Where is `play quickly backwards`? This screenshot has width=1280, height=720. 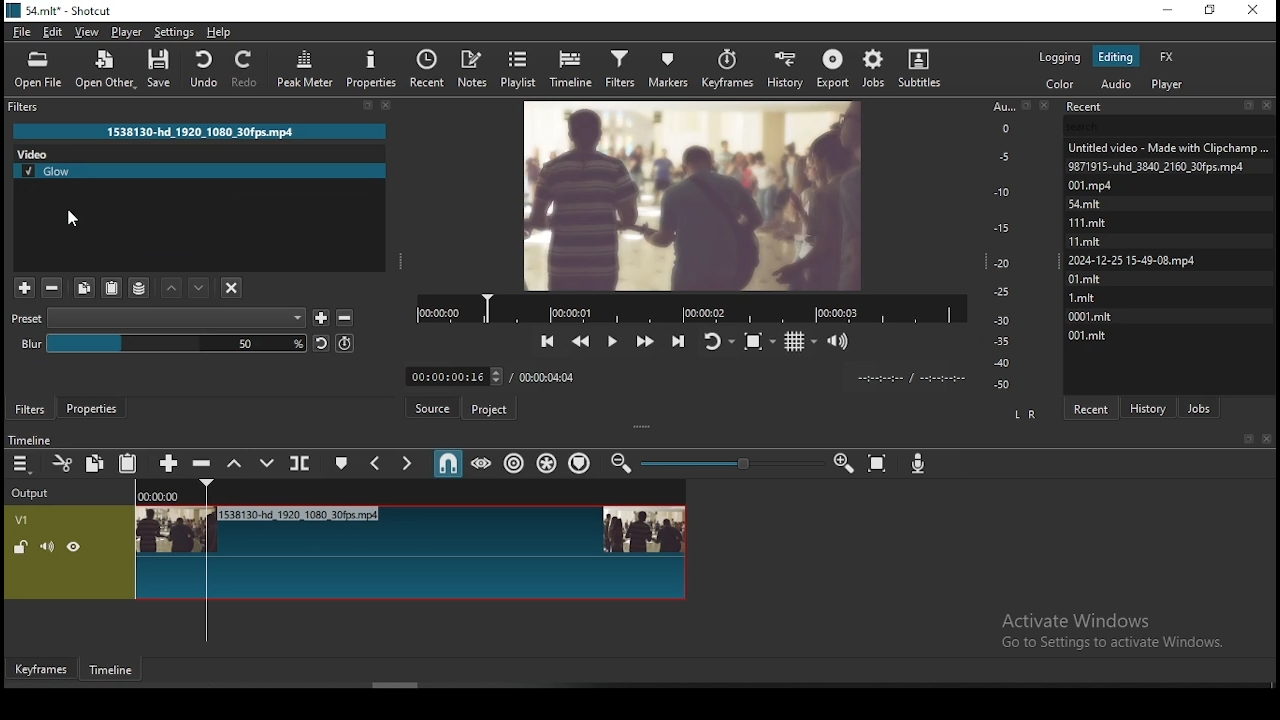
play quickly backwards is located at coordinates (581, 341).